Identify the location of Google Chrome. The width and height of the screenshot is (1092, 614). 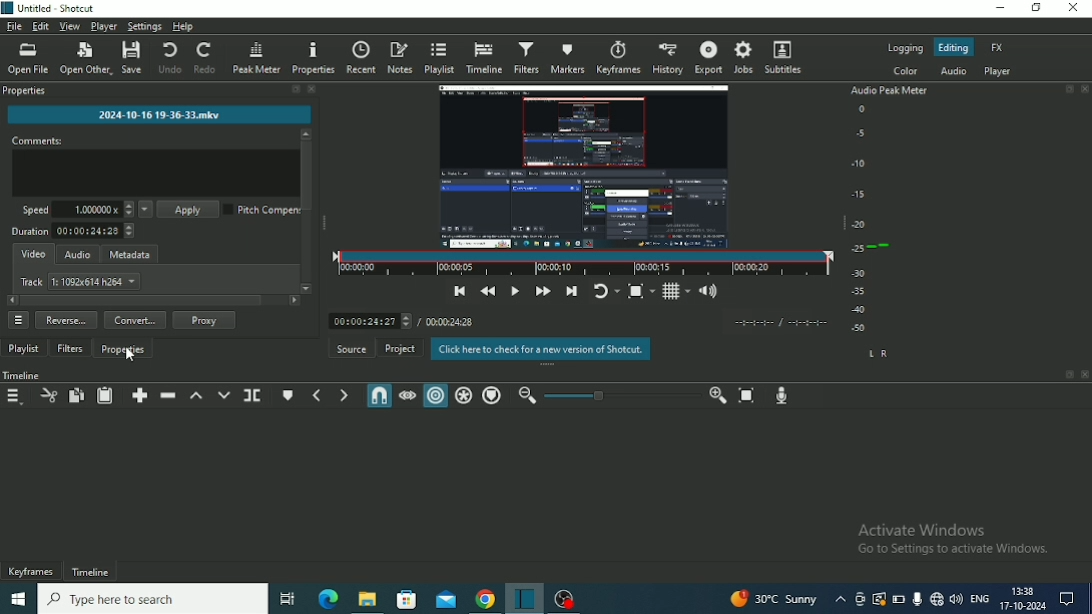
(483, 600).